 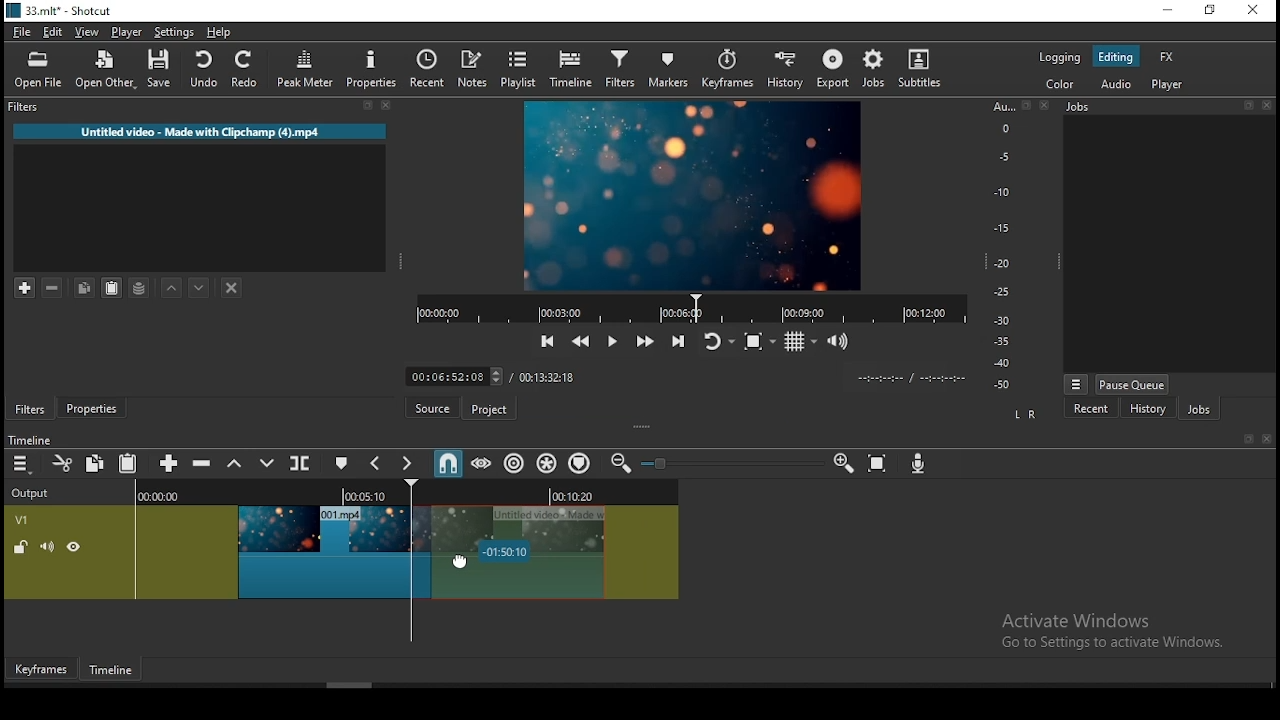 I want to click on history, so click(x=1146, y=408).